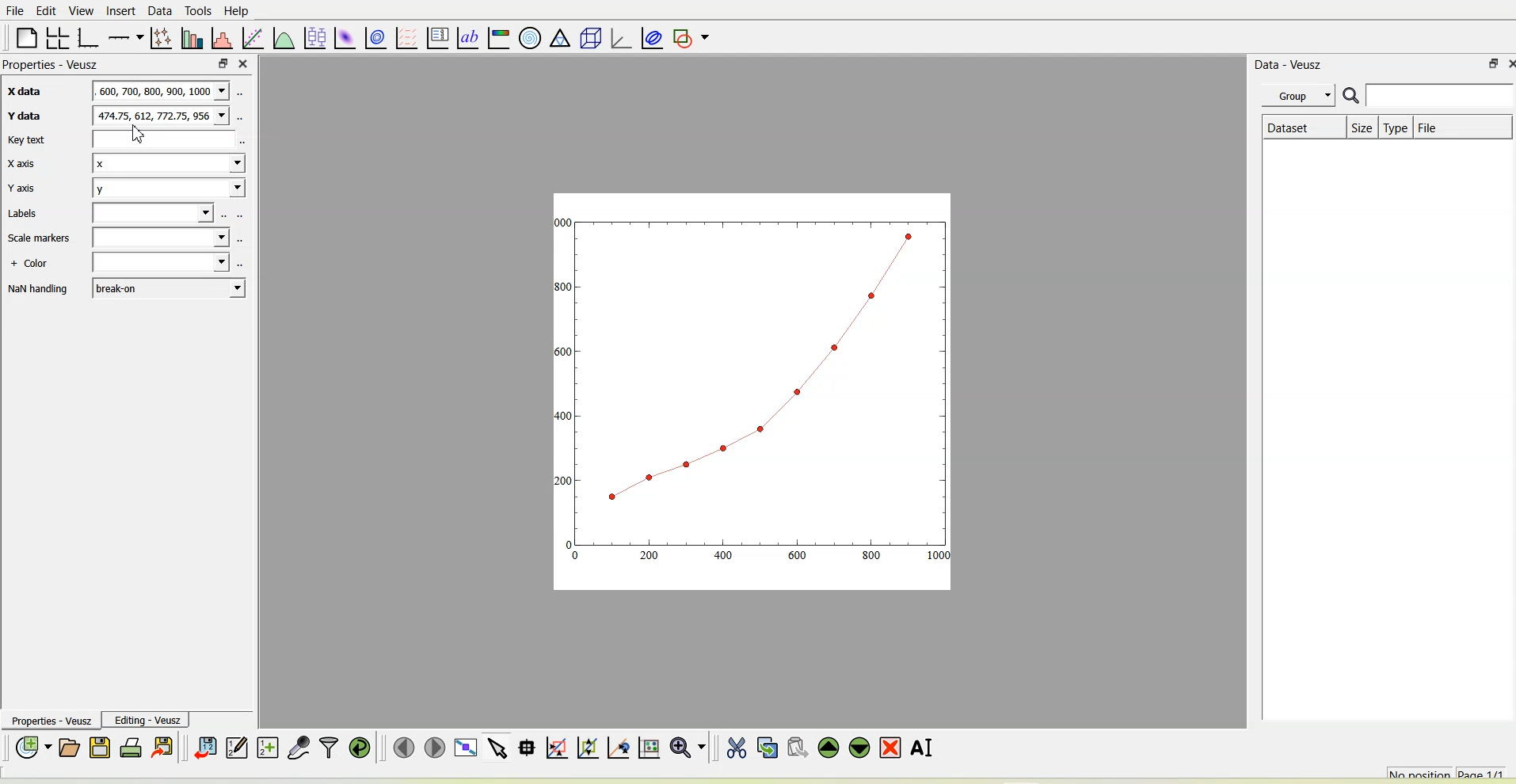 Image resolution: width=1516 pixels, height=784 pixels. What do you see at coordinates (498, 748) in the screenshot?
I see `Select items from the graph or scroll` at bounding box center [498, 748].